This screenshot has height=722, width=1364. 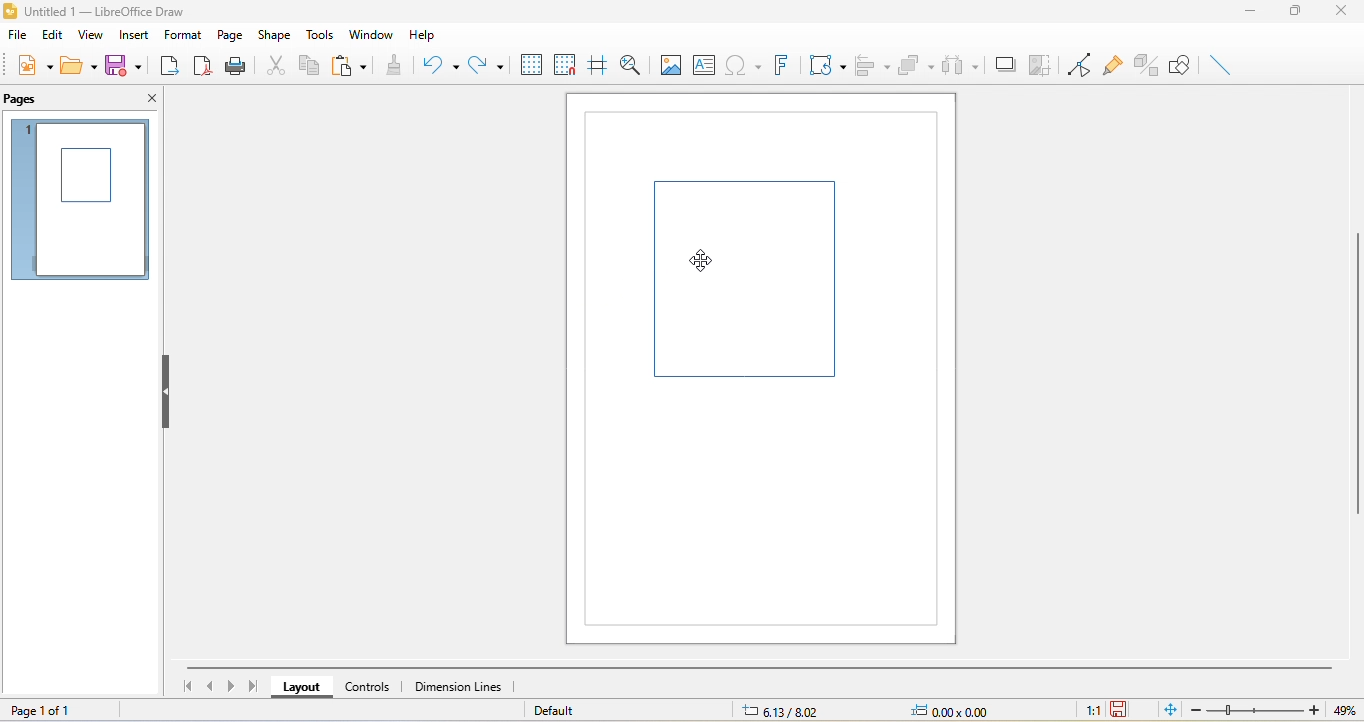 I want to click on align object, so click(x=869, y=66).